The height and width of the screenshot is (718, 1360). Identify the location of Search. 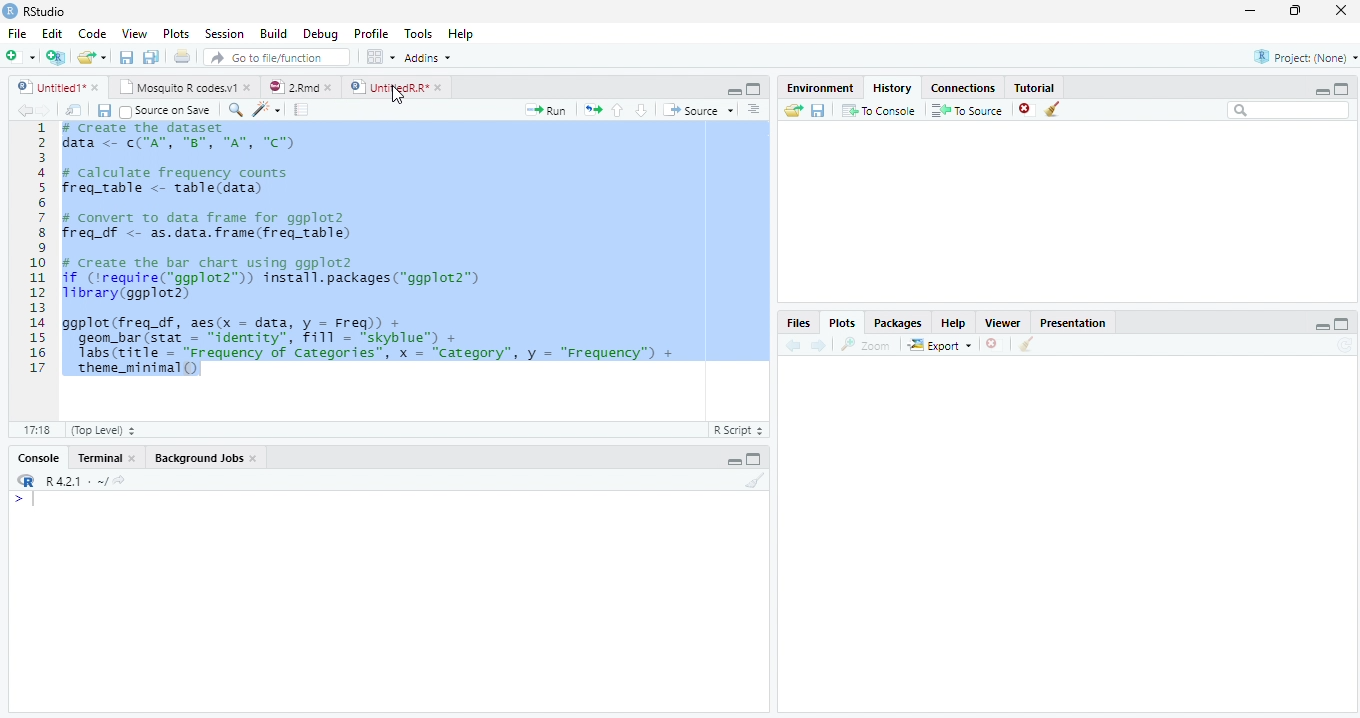
(1289, 113).